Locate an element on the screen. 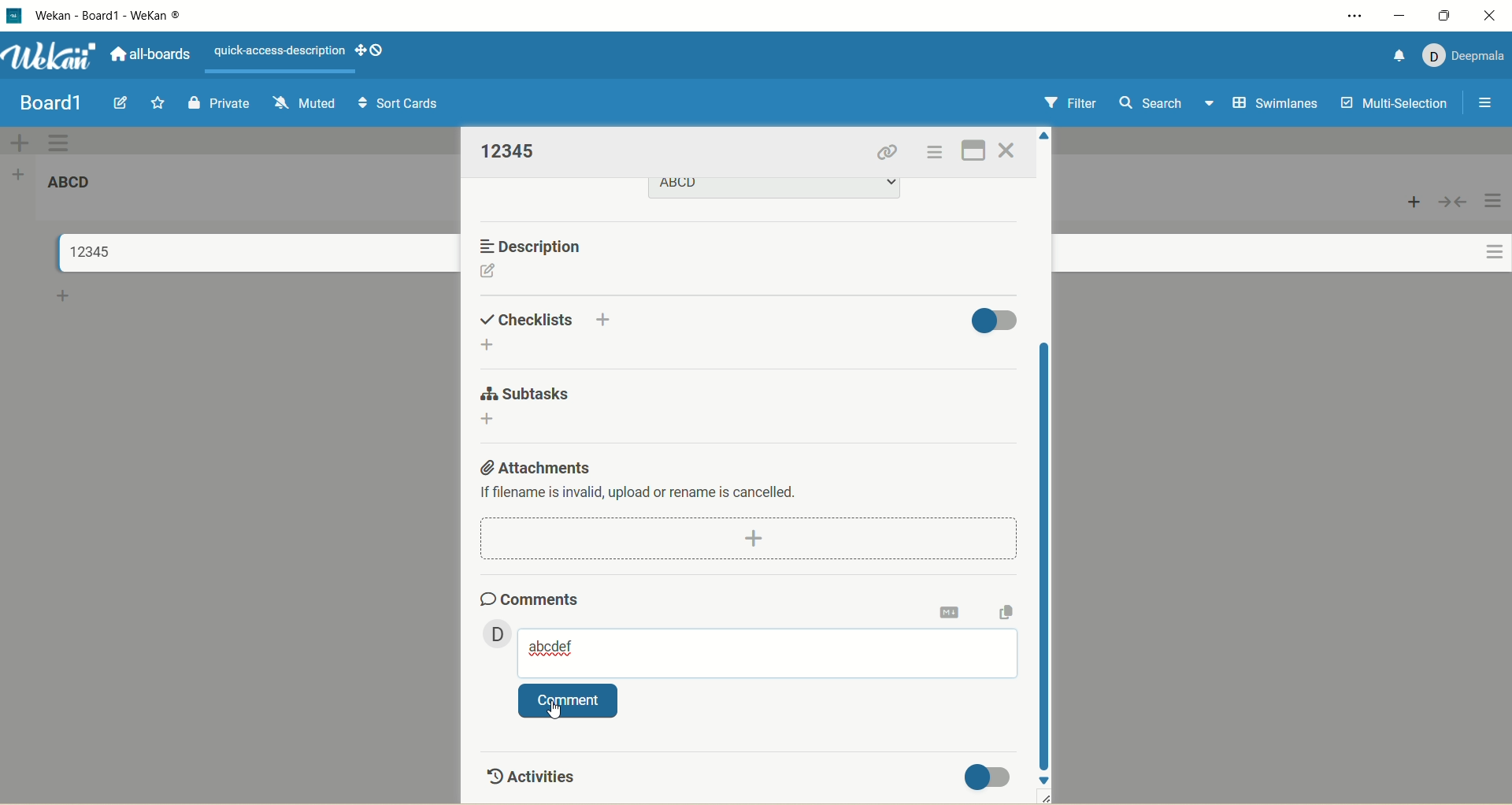  click to scroll down is located at coordinates (1045, 779).